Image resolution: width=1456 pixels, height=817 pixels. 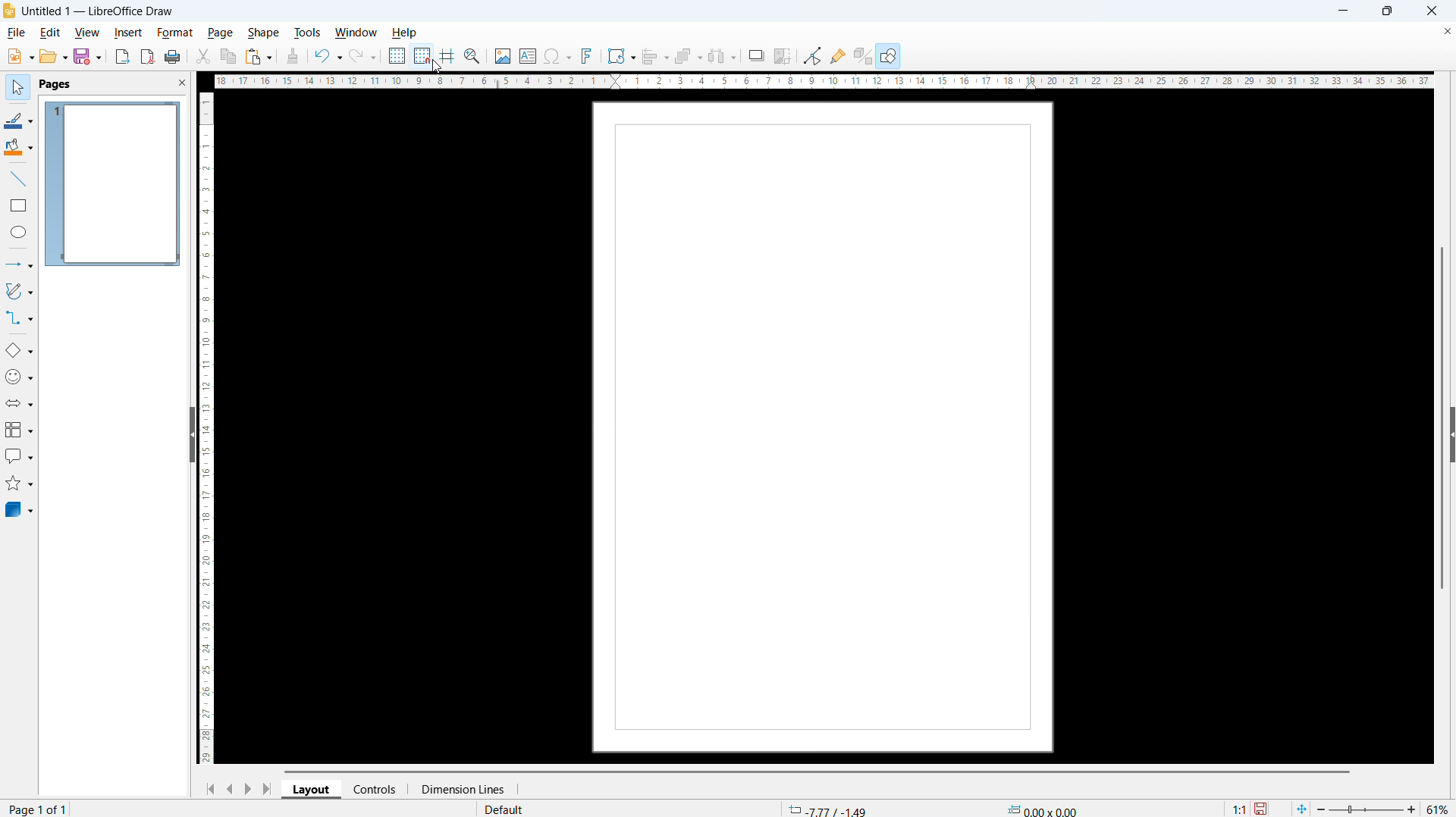 What do you see at coordinates (723, 56) in the screenshot?
I see `Select at least three objects To distribute ` at bounding box center [723, 56].